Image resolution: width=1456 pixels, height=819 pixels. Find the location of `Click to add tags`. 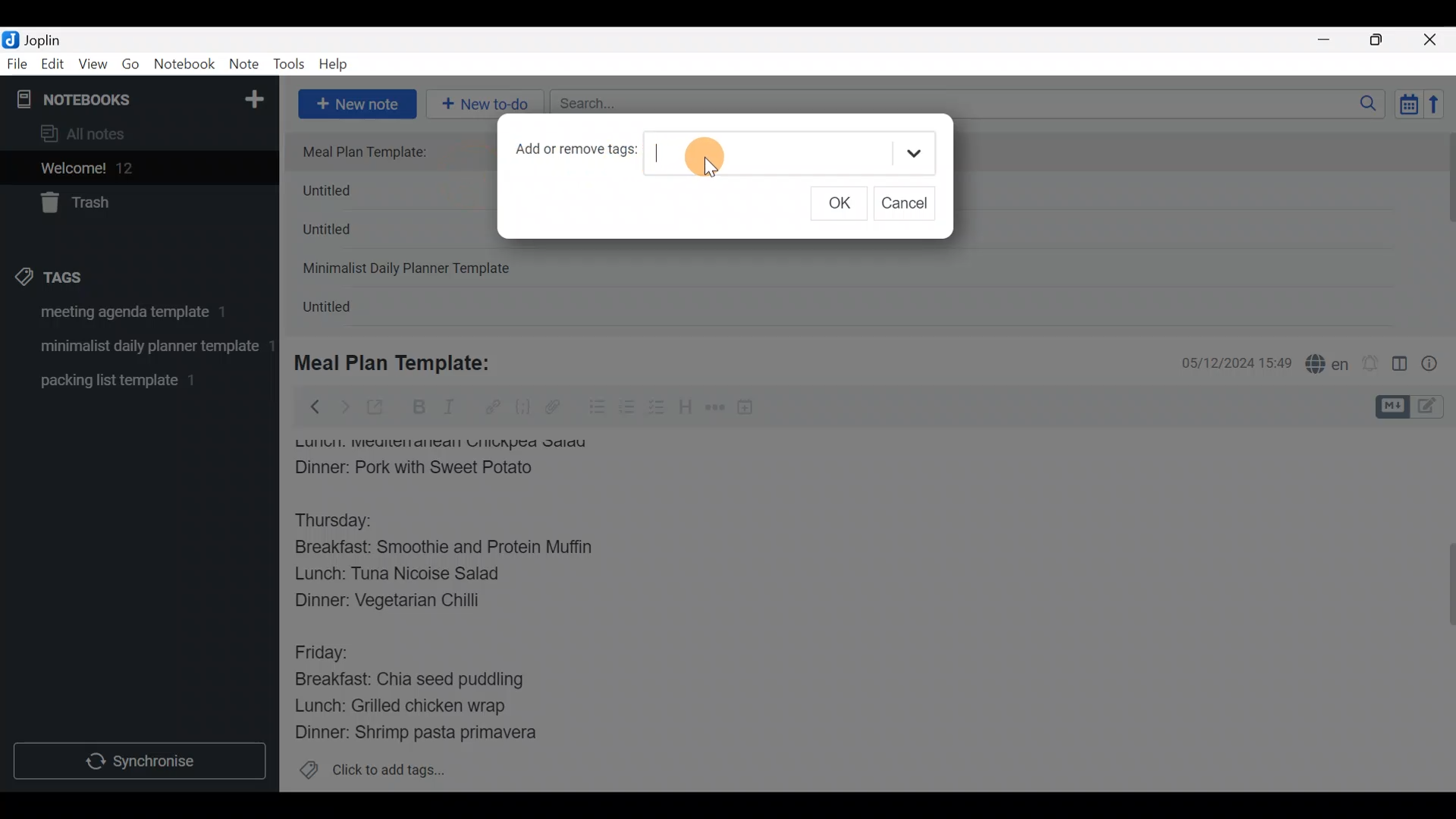

Click to add tags is located at coordinates (372, 775).